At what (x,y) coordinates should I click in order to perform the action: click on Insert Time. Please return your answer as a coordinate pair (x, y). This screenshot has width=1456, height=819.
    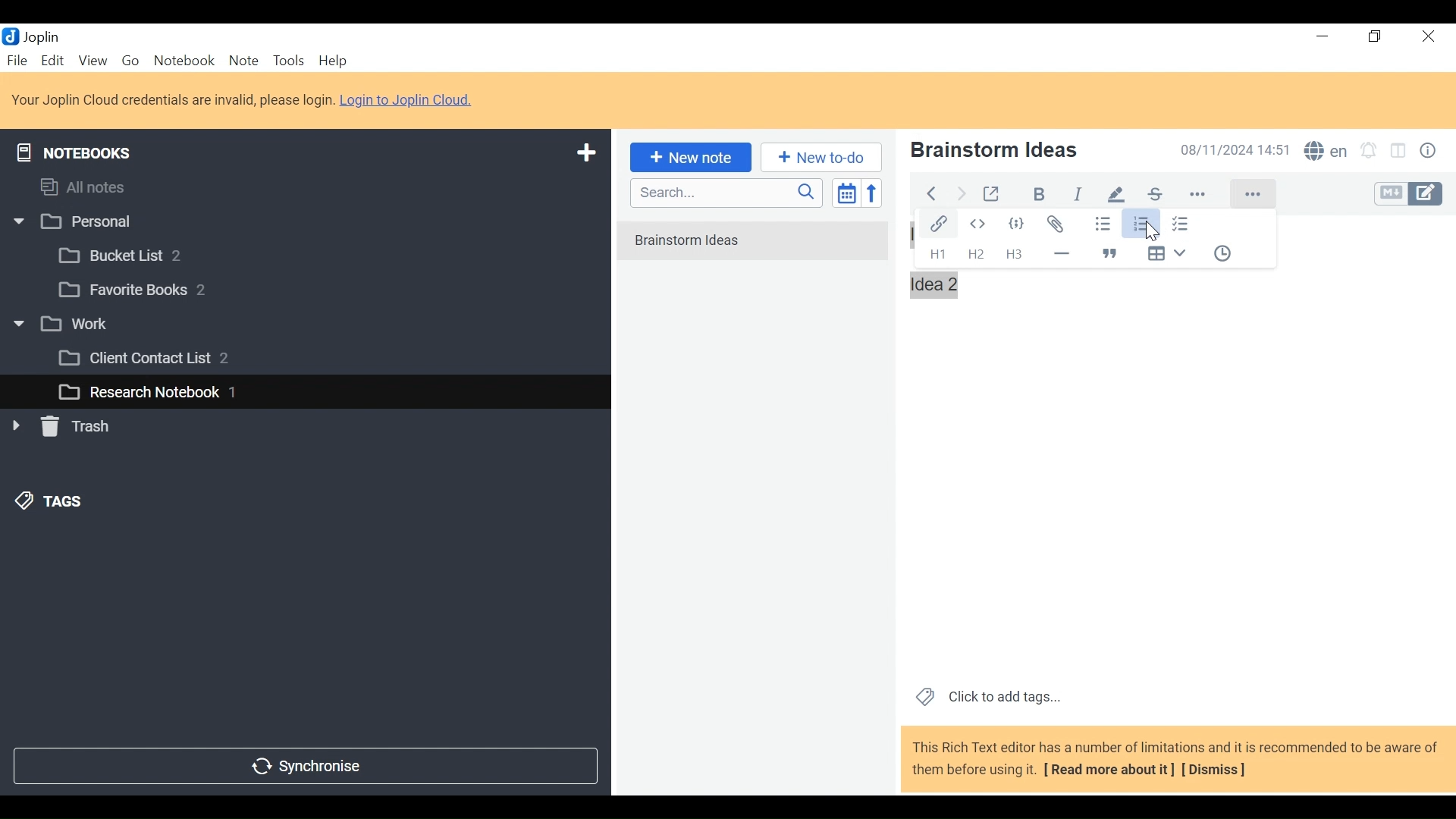
    Looking at the image, I should click on (1223, 253).